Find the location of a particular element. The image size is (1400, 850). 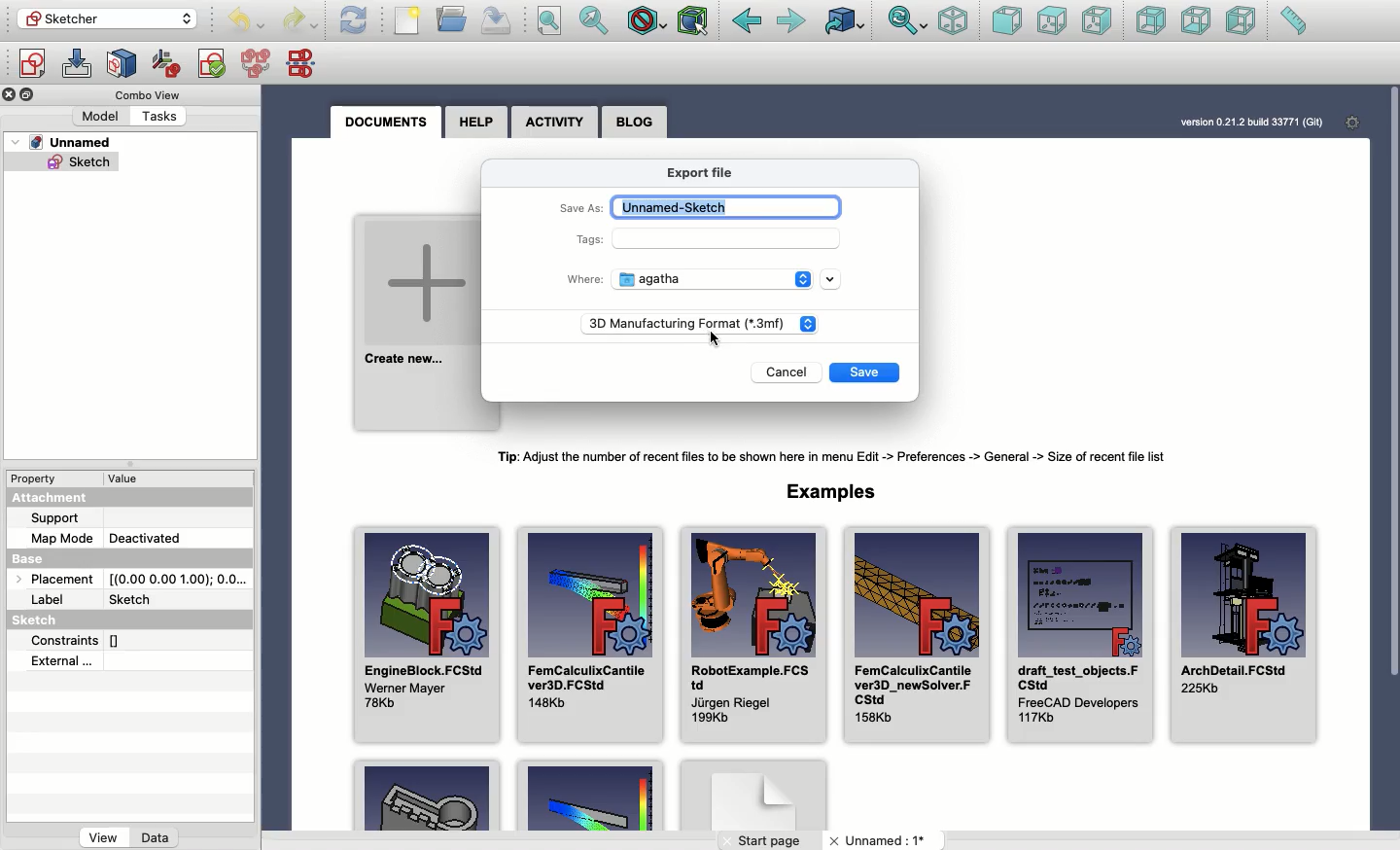

Sketcher is located at coordinates (105, 19).